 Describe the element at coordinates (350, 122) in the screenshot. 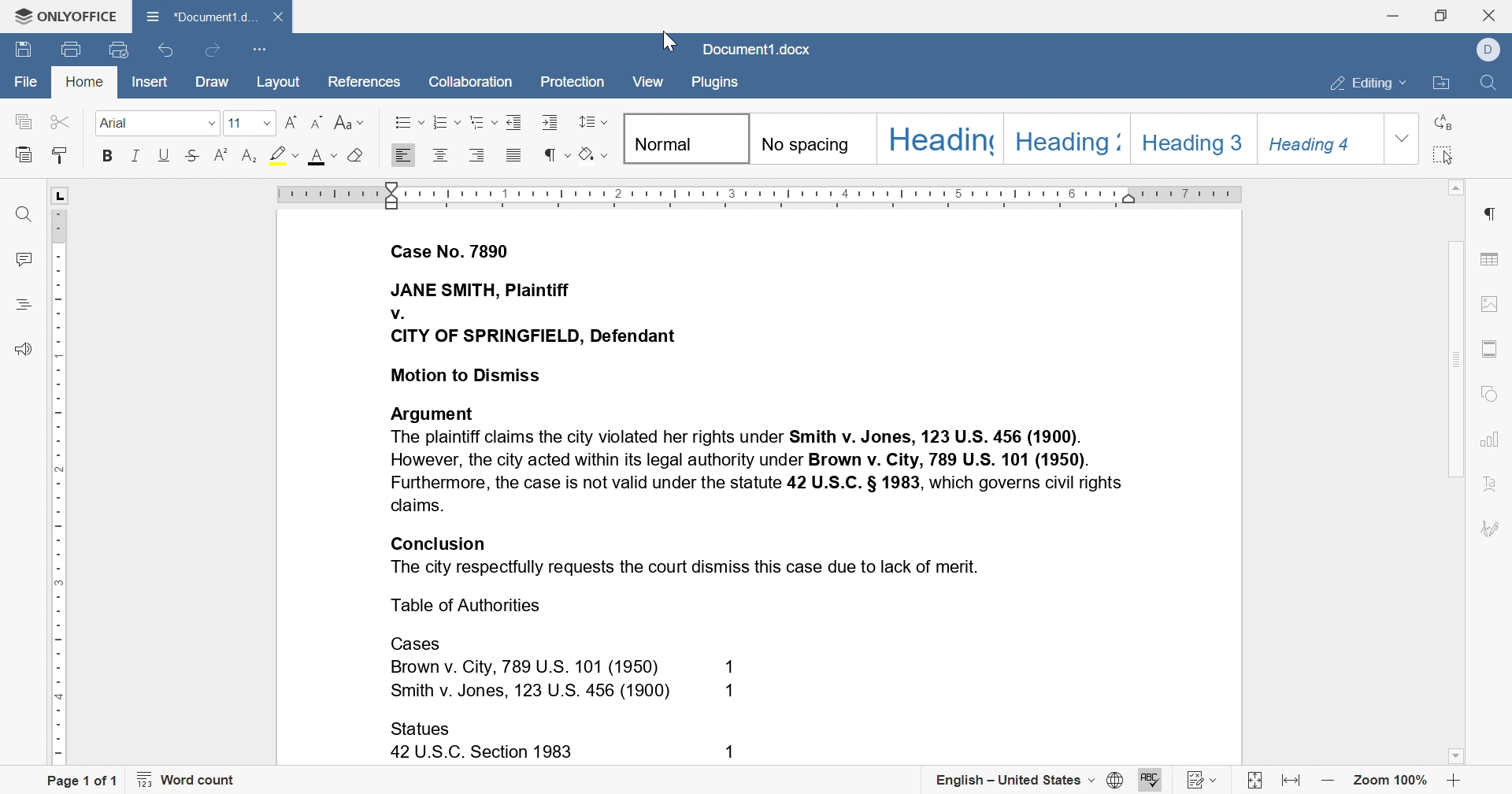

I see `change case` at that location.